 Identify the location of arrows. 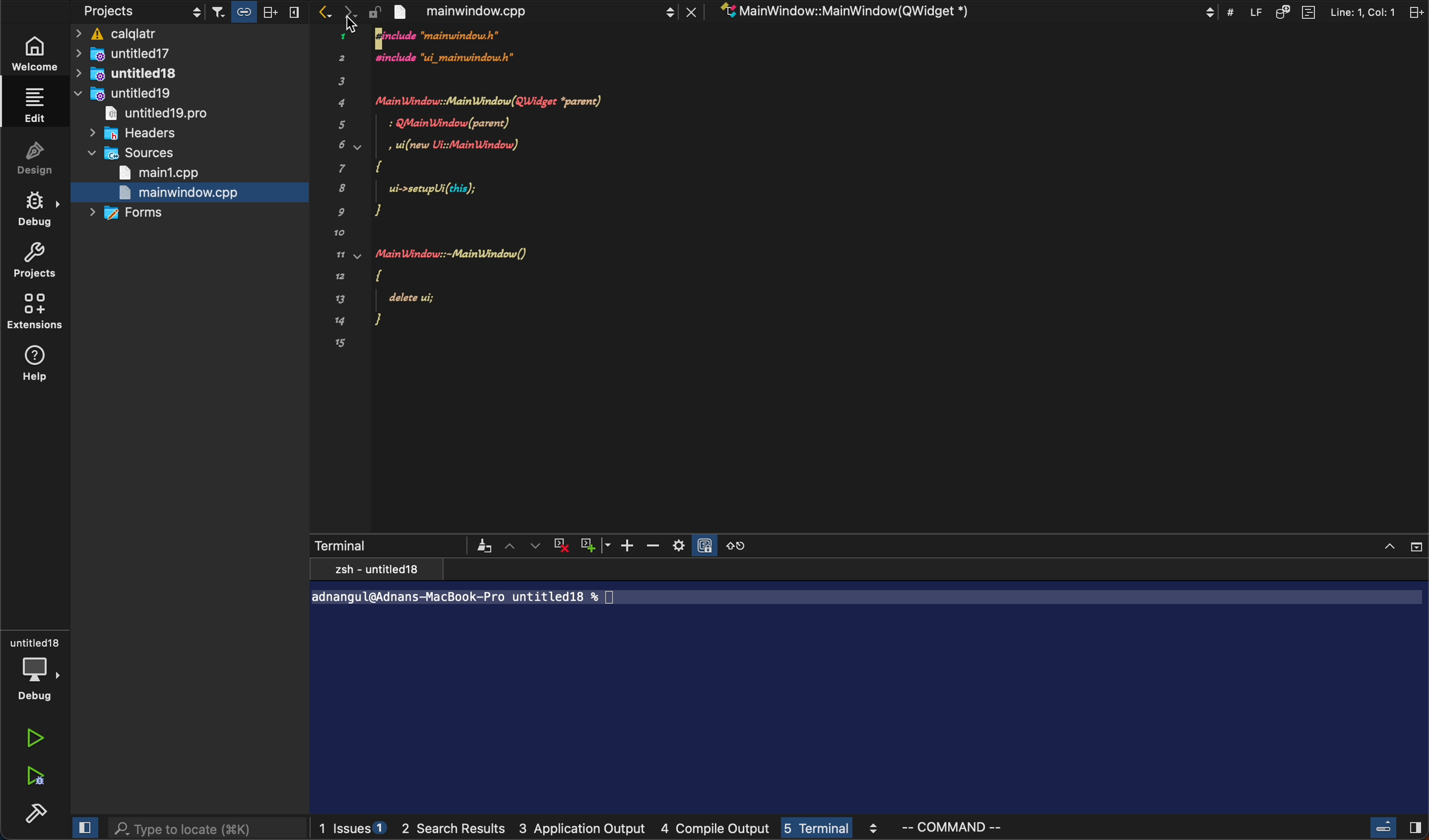
(333, 11).